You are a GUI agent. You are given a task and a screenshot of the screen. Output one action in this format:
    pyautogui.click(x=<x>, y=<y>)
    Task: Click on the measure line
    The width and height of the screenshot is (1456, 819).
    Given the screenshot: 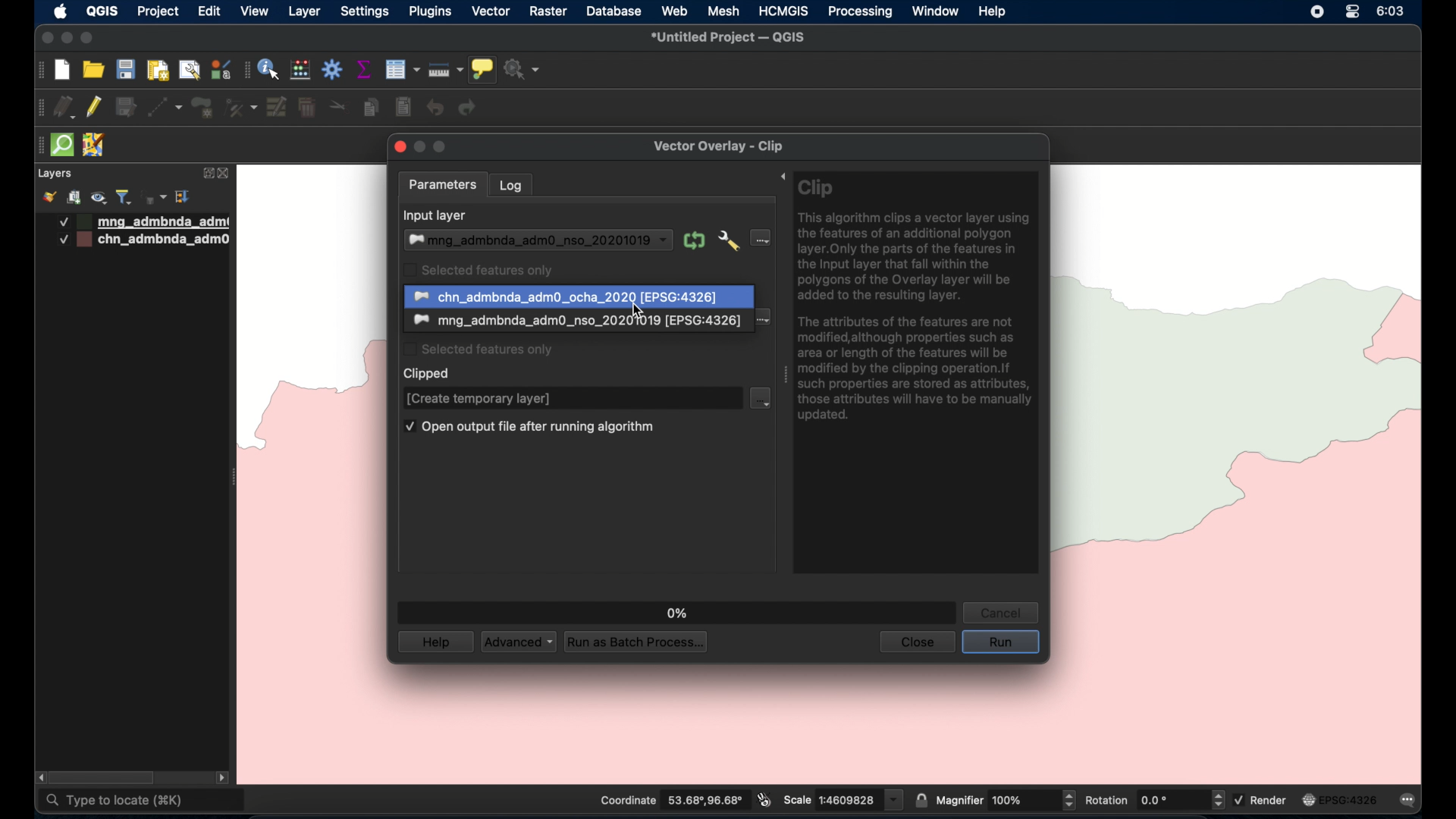 What is the action you would take?
    pyautogui.click(x=446, y=70)
    